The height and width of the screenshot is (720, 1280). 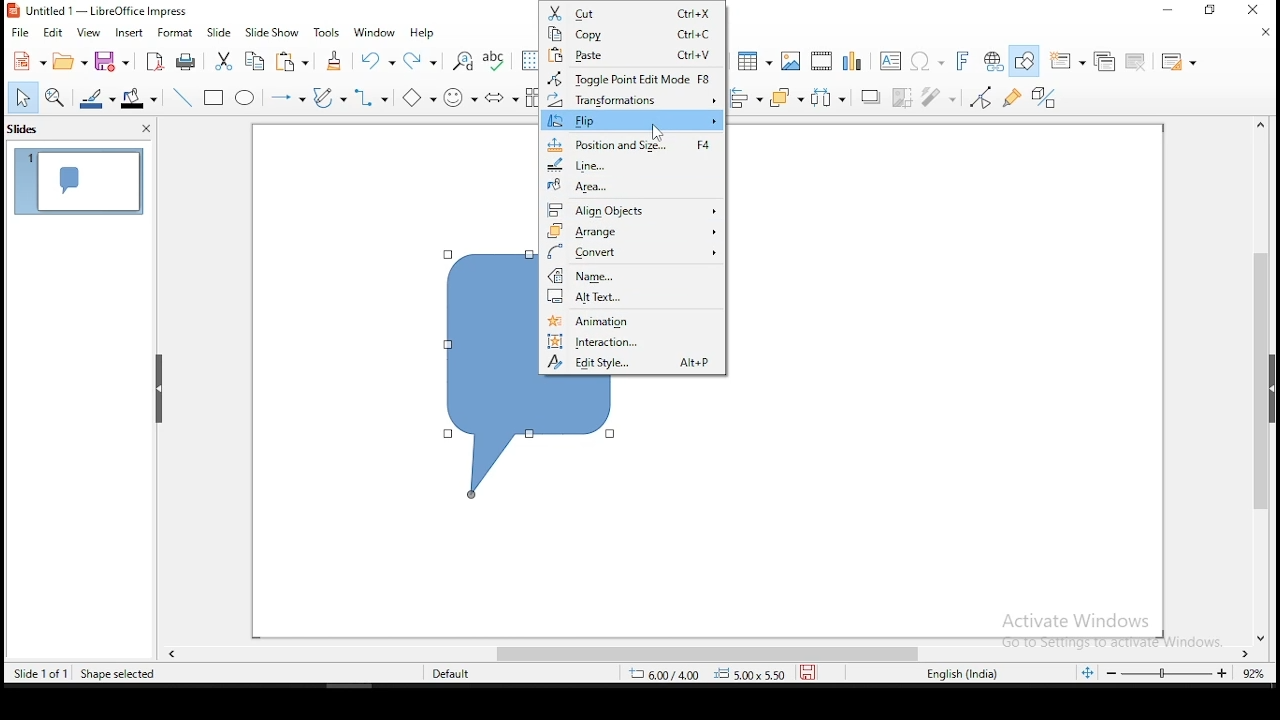 What do you see at coordinates (963, 60) in the screenshot?
I see `insert font work text` at bounding box center [963, 60].